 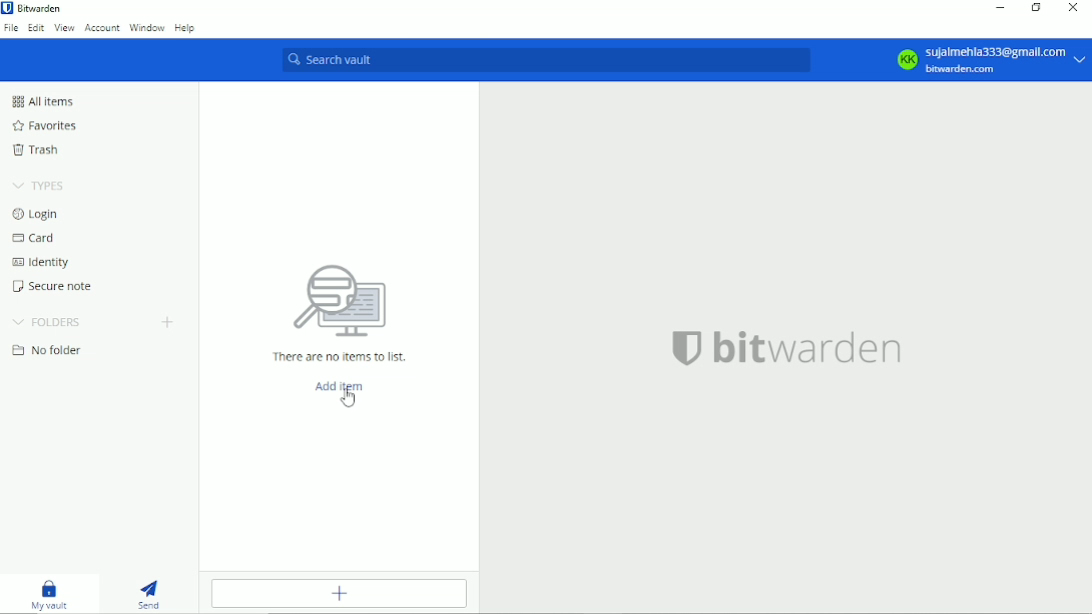 I want to click on Restore down, so click(x=1036, y=9).